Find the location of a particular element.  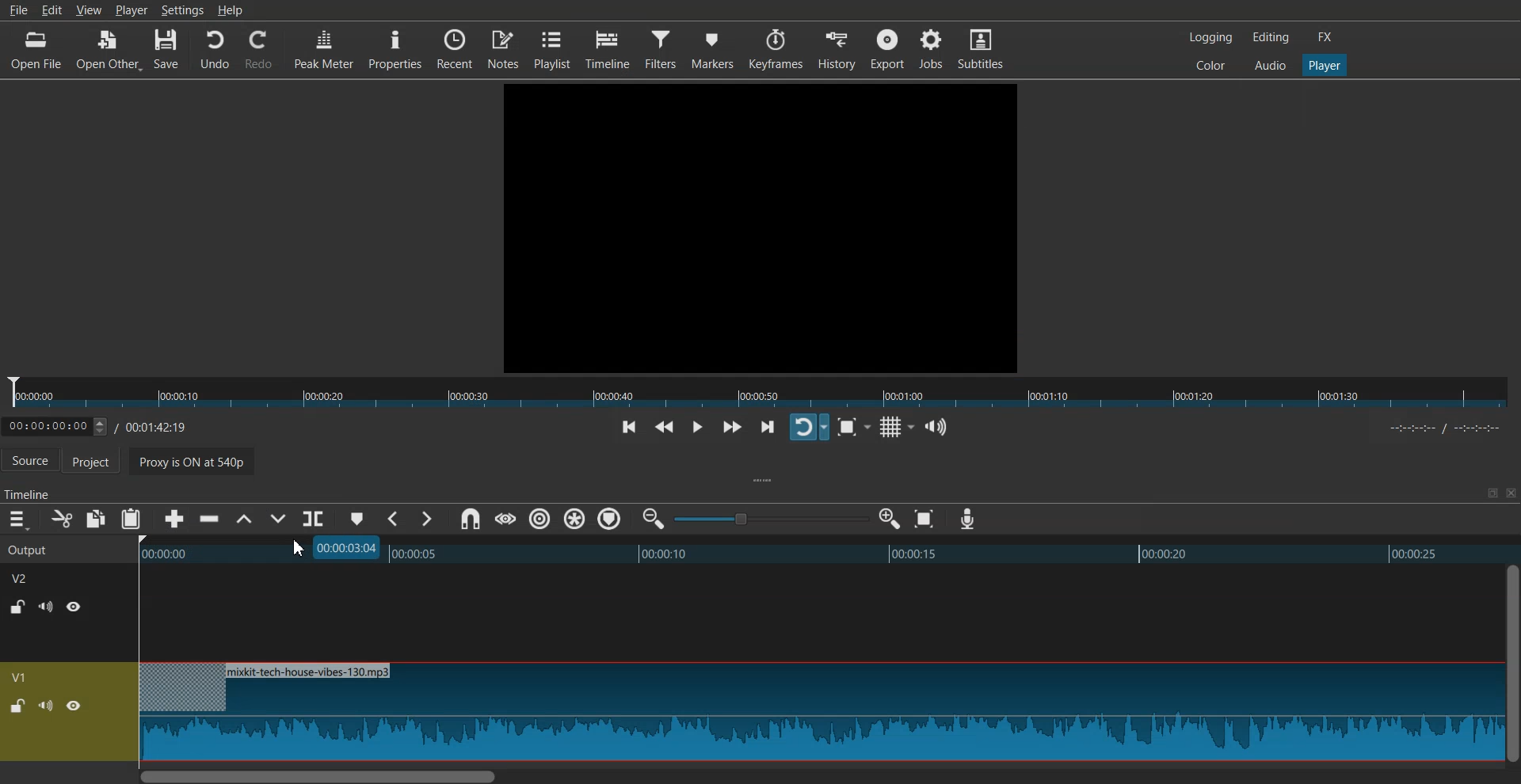

Snap is located at coordinates (470, 519).